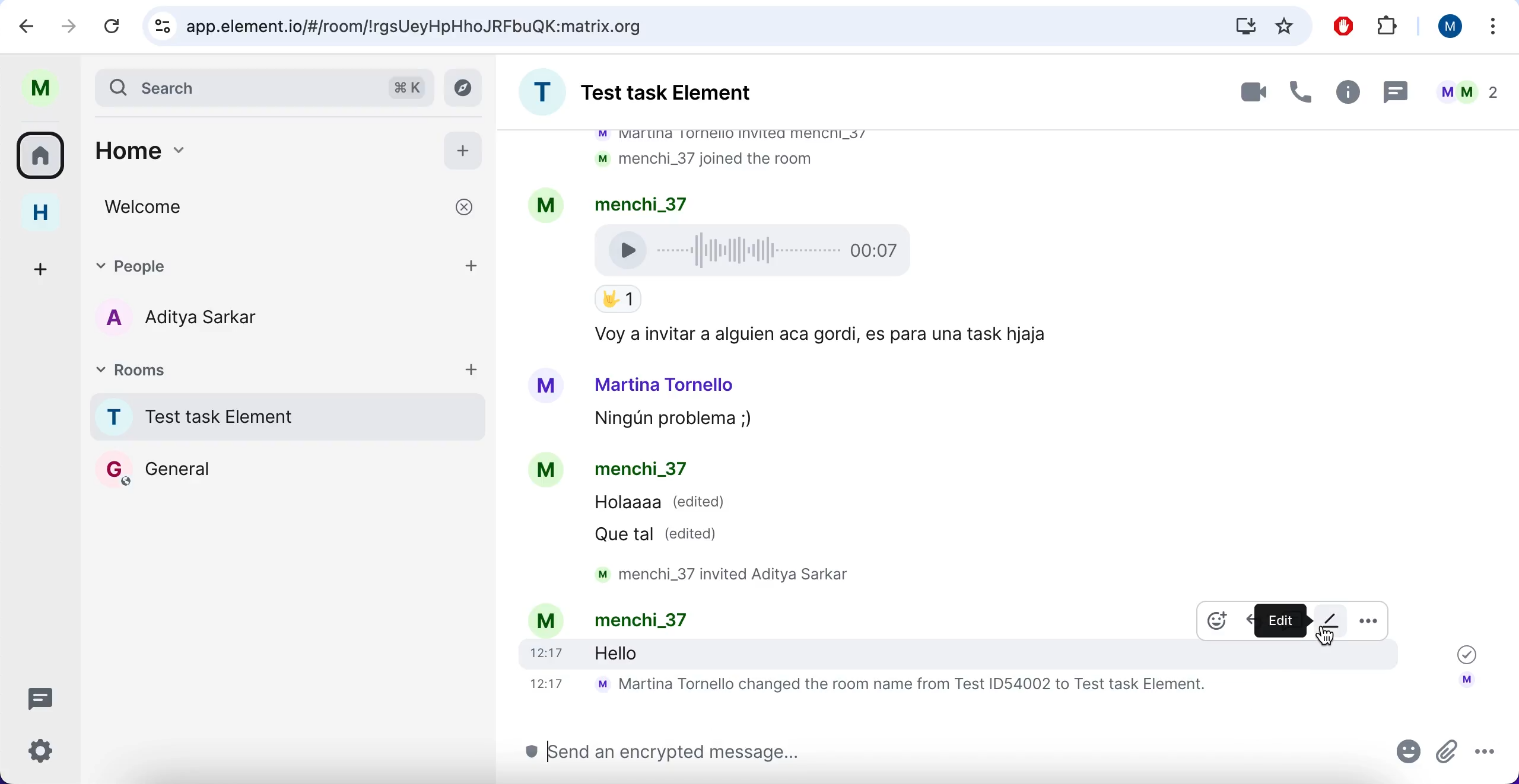  What do you see at coordinates (1238, 93) in the screenshot?
I see `video call` at bounding box center [1238, 93].